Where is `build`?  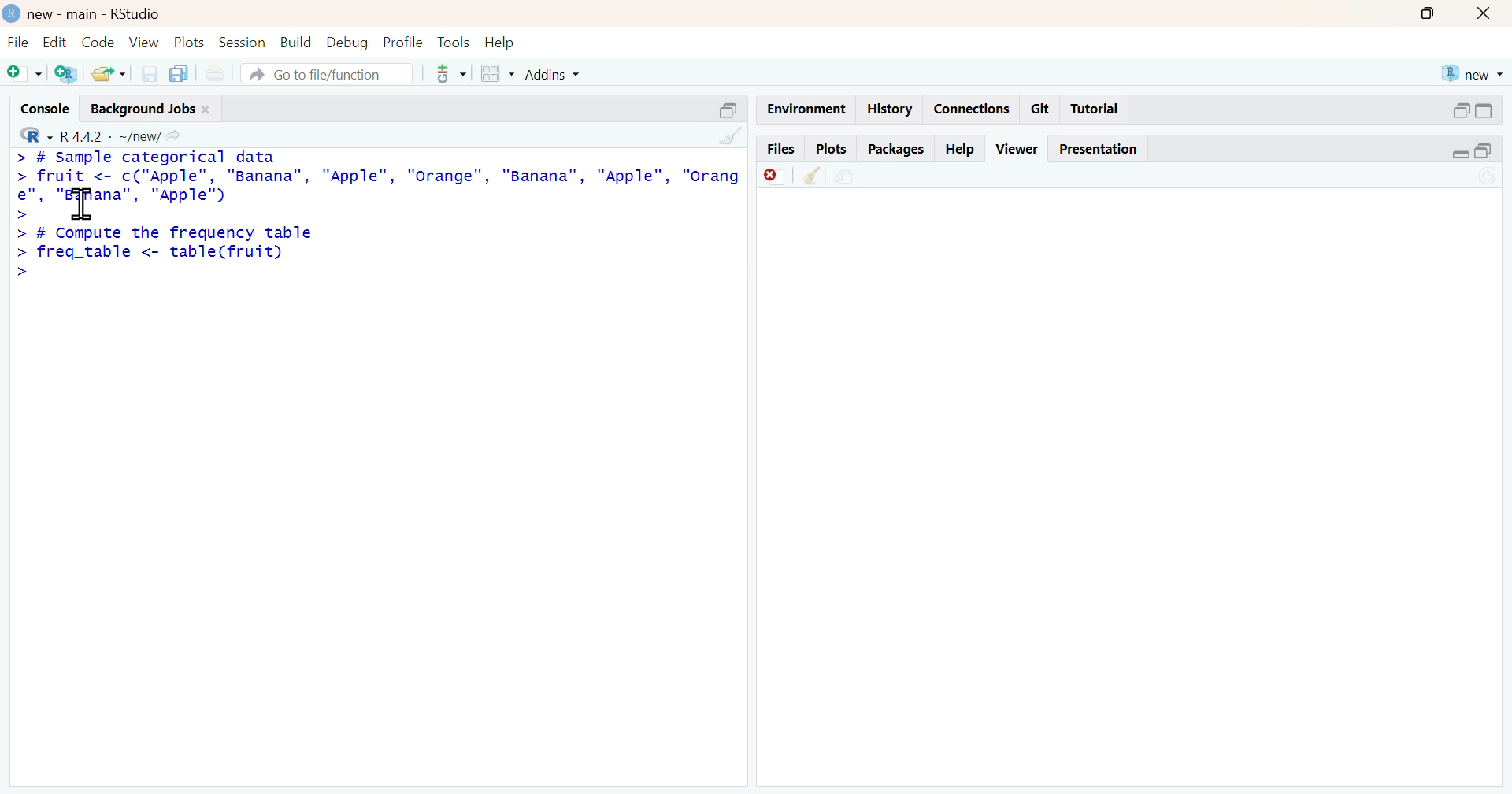
build is located at coordinates (295, 43).